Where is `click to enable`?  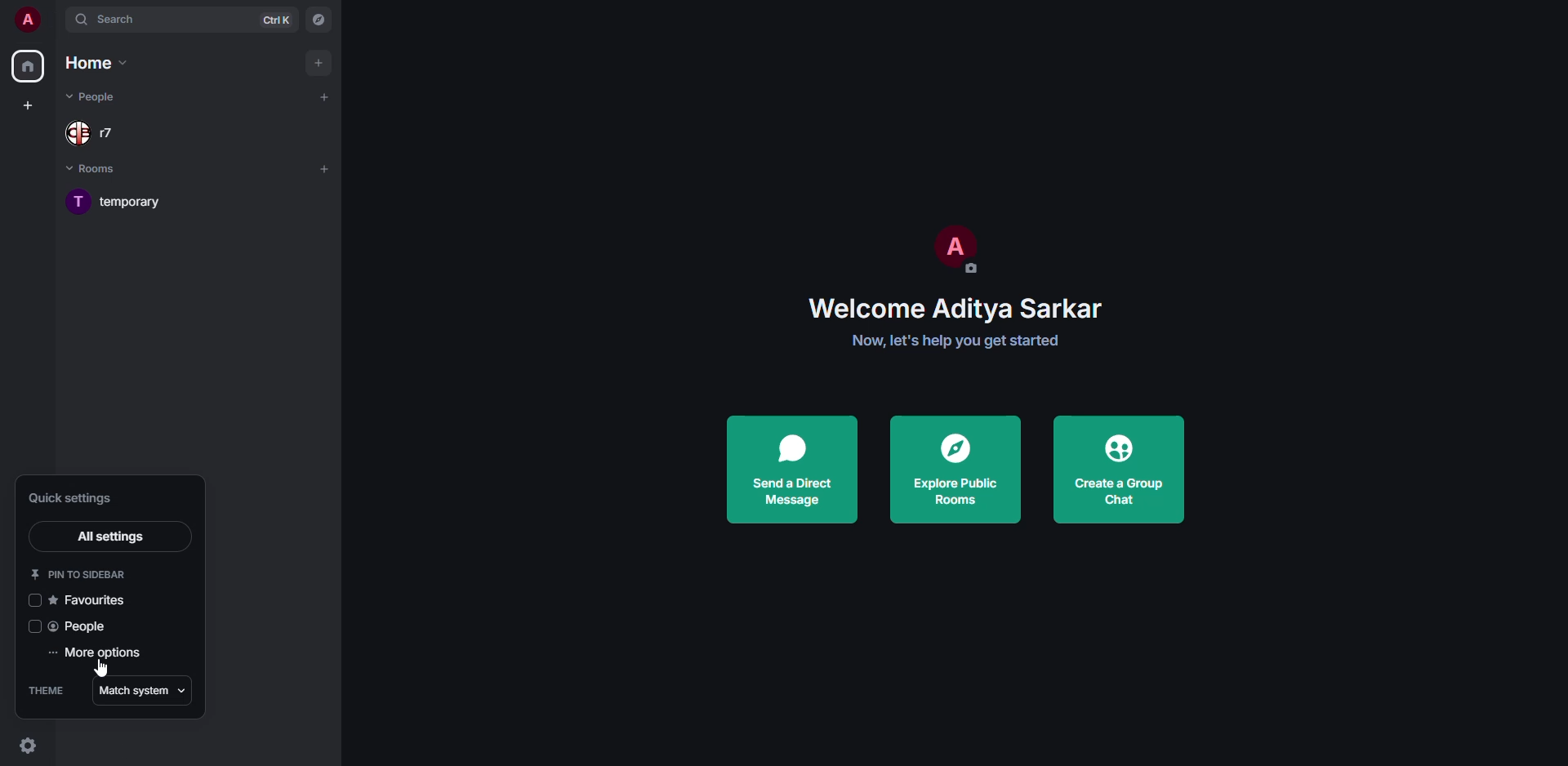
click to enable is located at coordinates (31, 627).